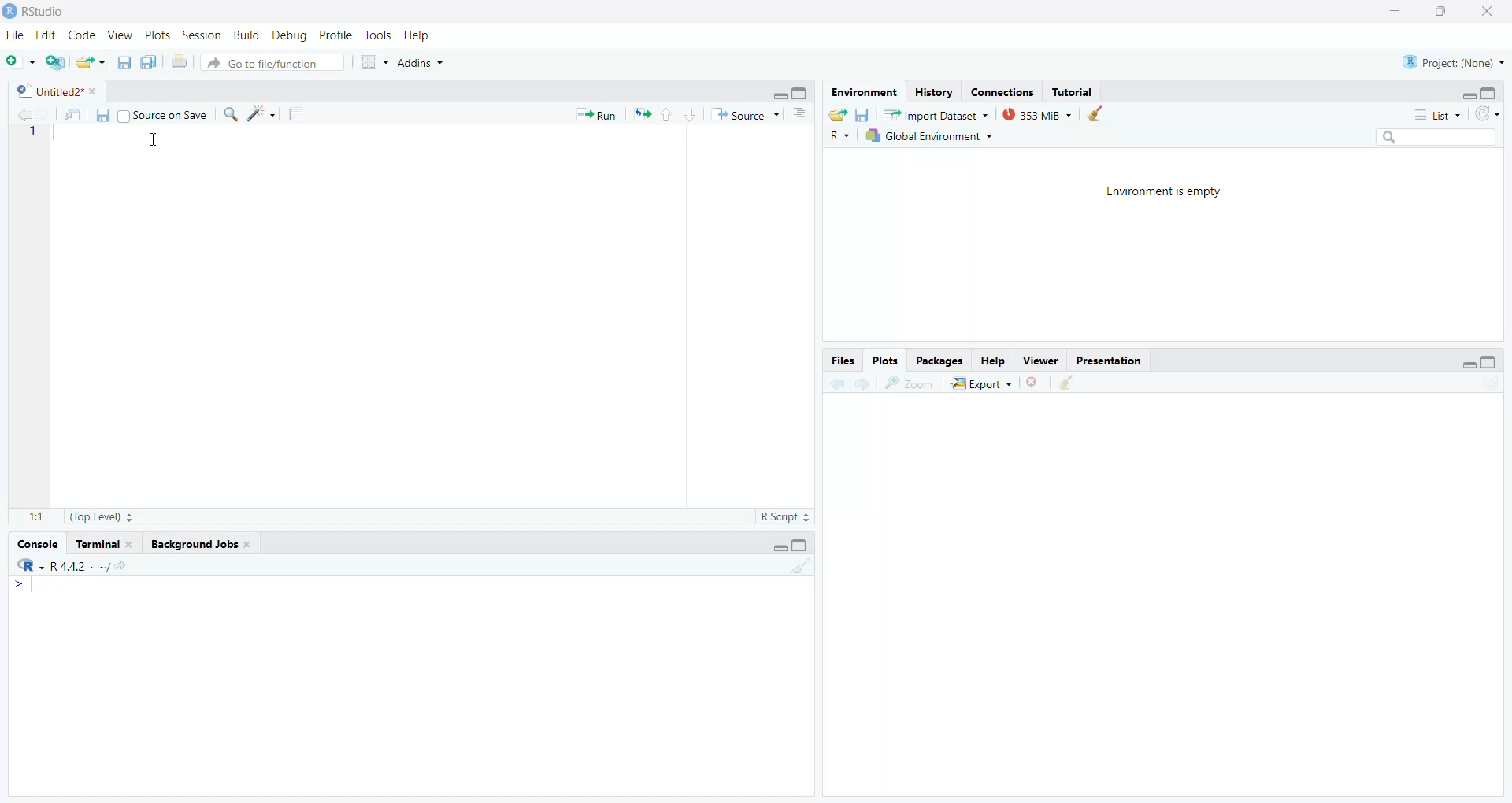 This screenshot has height=803, width=1512. What do you see at coordinates (26, 115) in the screenshot?
I see `go back to the previous source location` at bounding box center [26, 115].